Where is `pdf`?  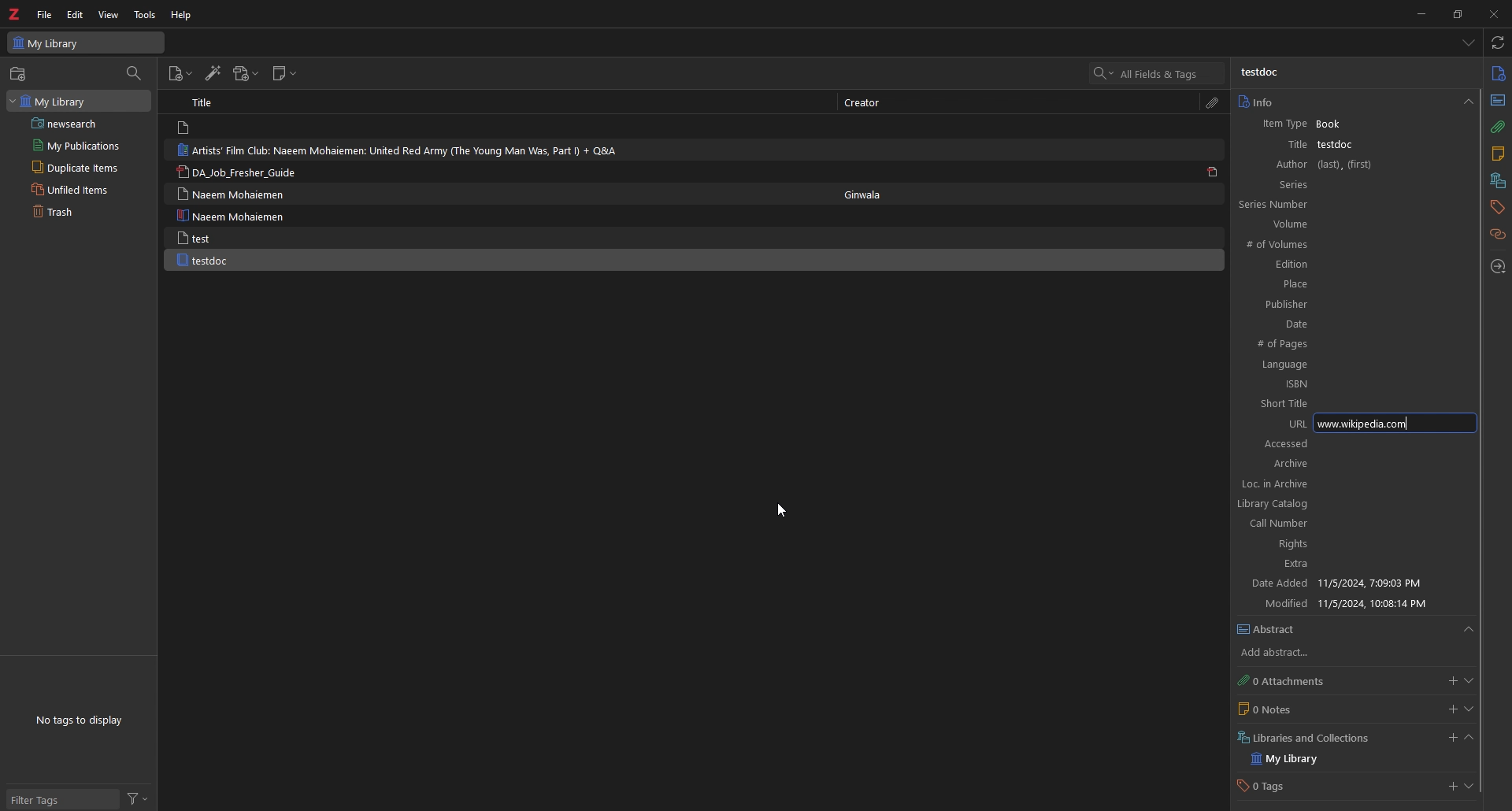
pdf is located at coordinates (1213, 172).